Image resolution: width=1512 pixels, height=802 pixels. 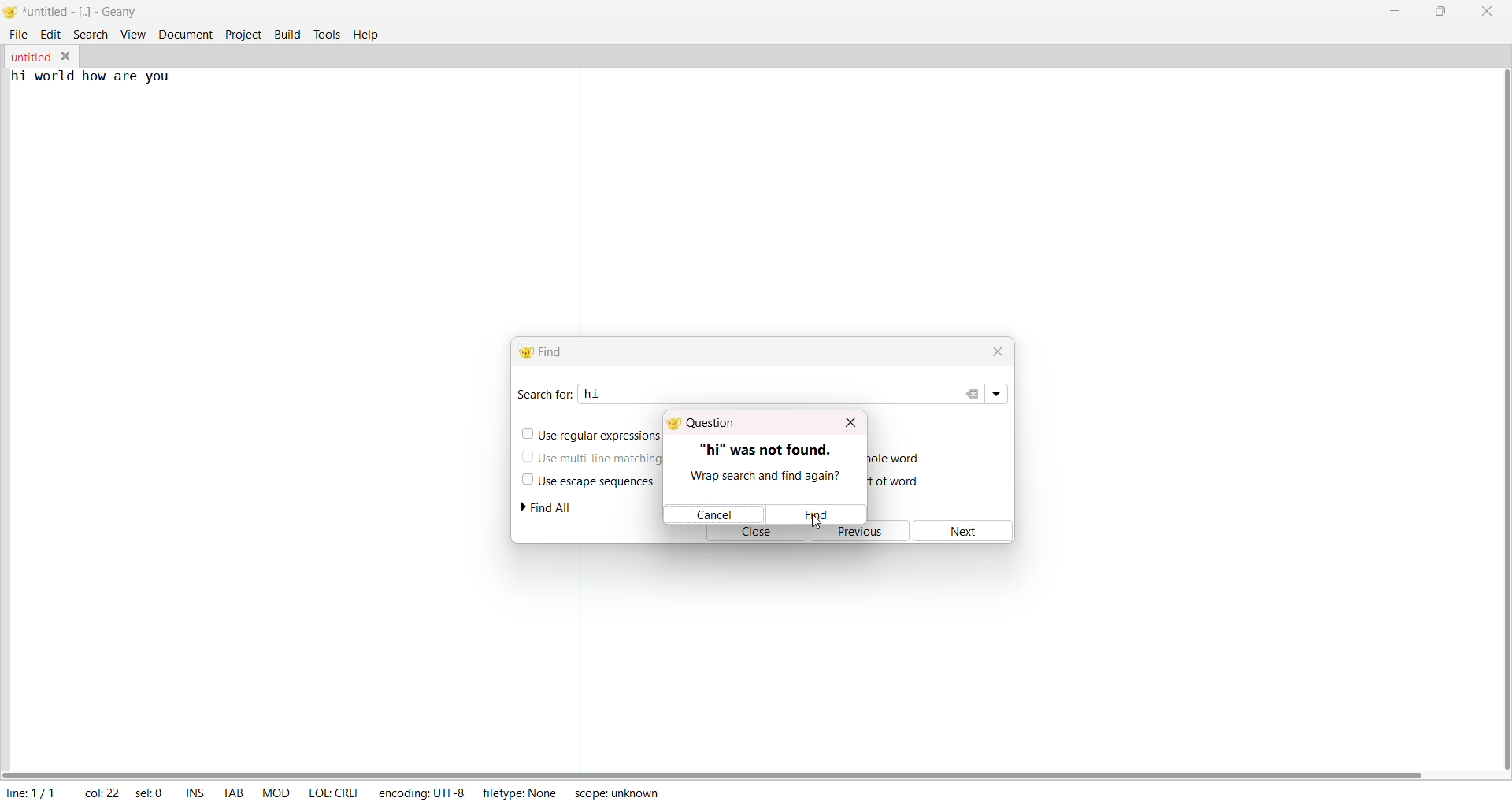 I want to click on cursor, so click(x=821, y=529).